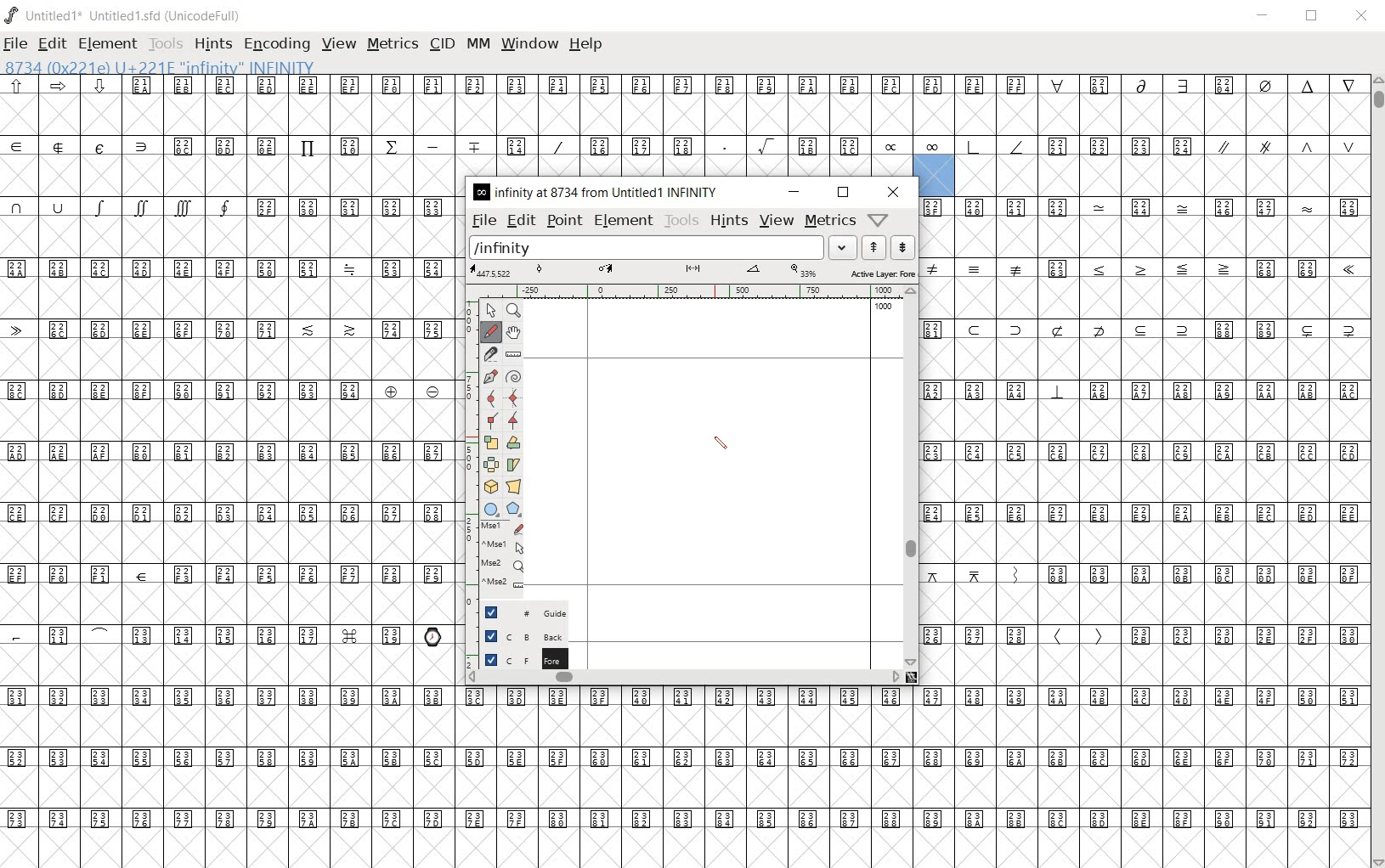 Image resolution: width=1385 pixels, height=868 pixels. Describe the element at coordinates (235, 391) in the screenshot. I see `Unicode code points` at that location.